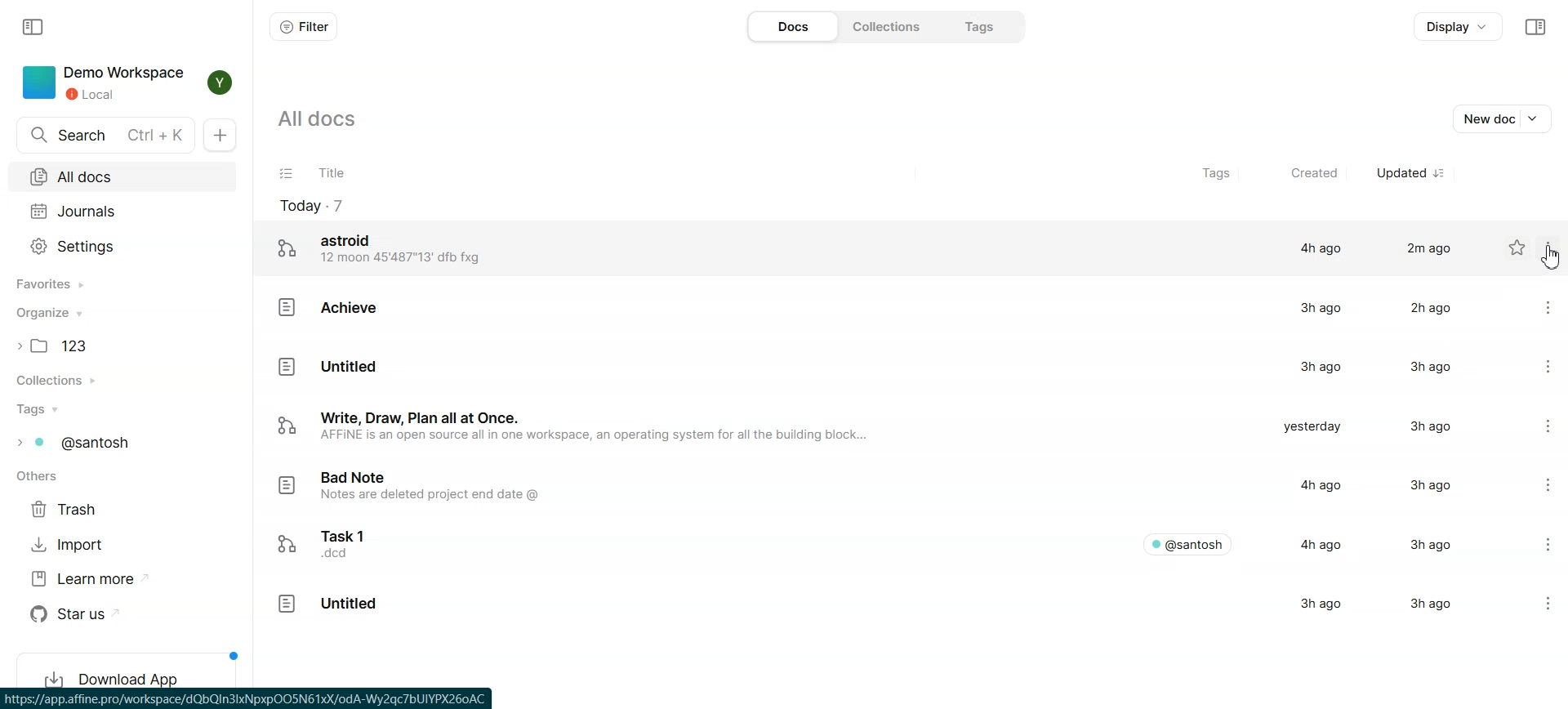 This screenshot has height=709, width=1568. What do you see at coordinates (1402, 173) in the screenshot?
I see `Updated` at bounding box center [1402, 173].